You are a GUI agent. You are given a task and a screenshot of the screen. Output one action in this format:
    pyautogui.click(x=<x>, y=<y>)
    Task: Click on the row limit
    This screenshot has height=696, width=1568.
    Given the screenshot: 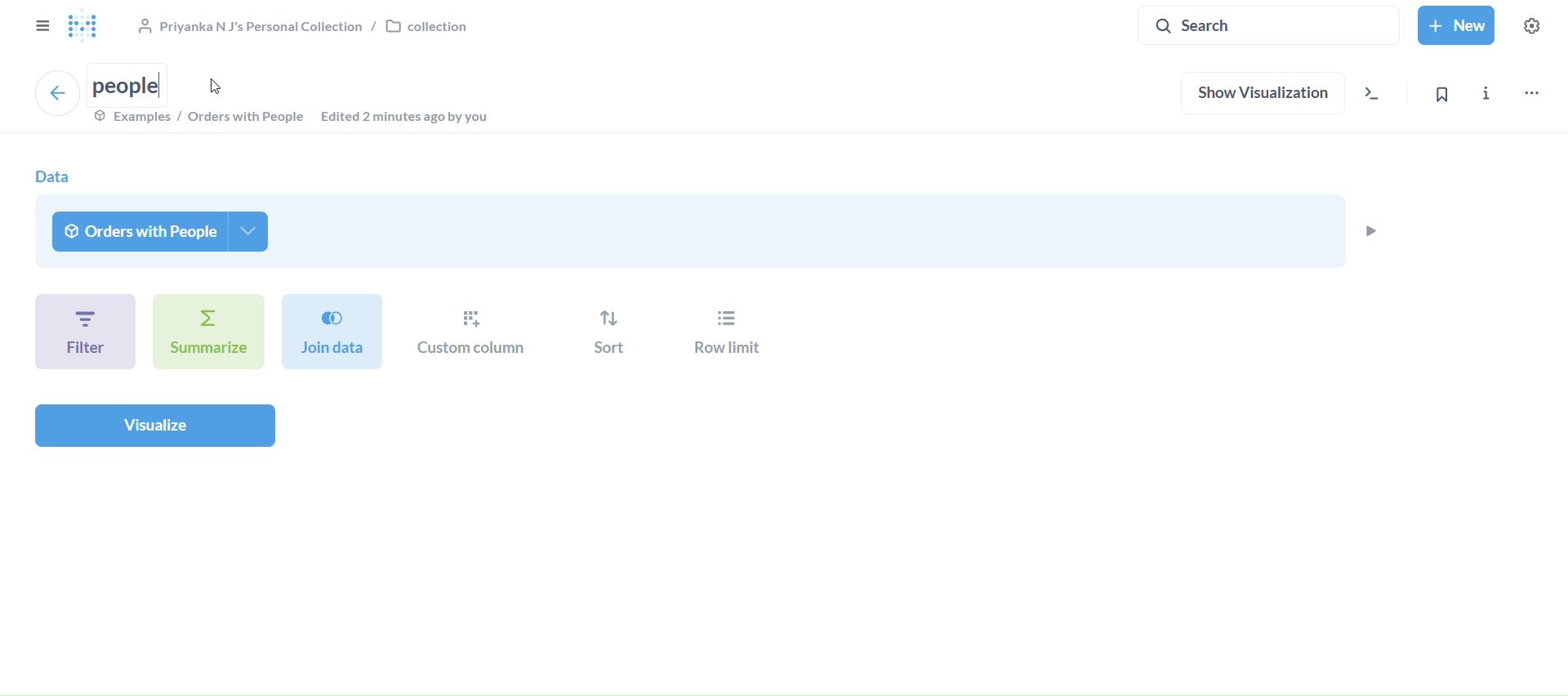 What is the action you would take?
    pyautogui.click(x=722, y=334)
    